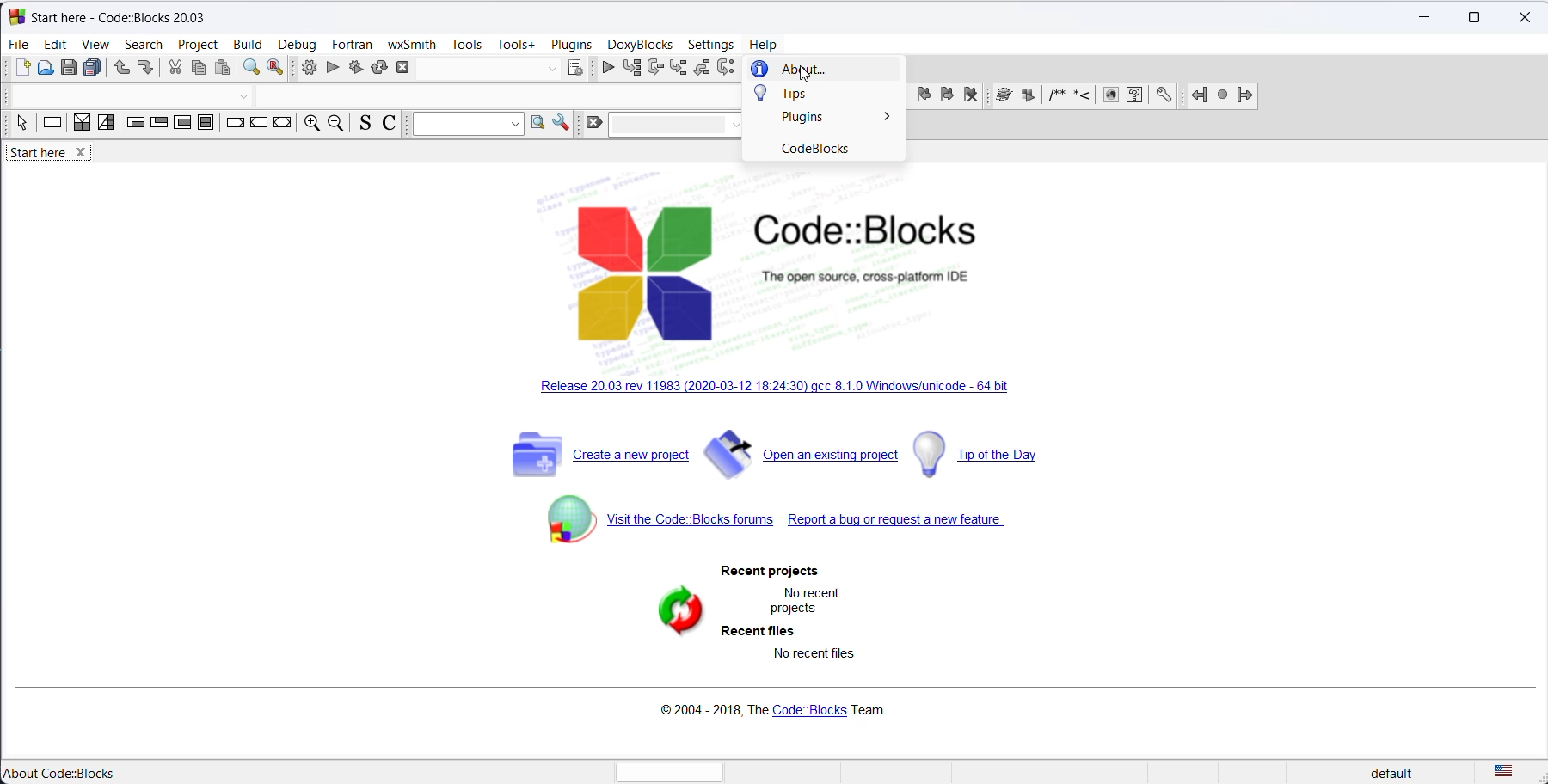 This screenshot has height=784, width=1548. What do you see at coordinates (1003, 97) in the screenshot?
I see `Run doxywizard` at bounding box center [1003, 97].